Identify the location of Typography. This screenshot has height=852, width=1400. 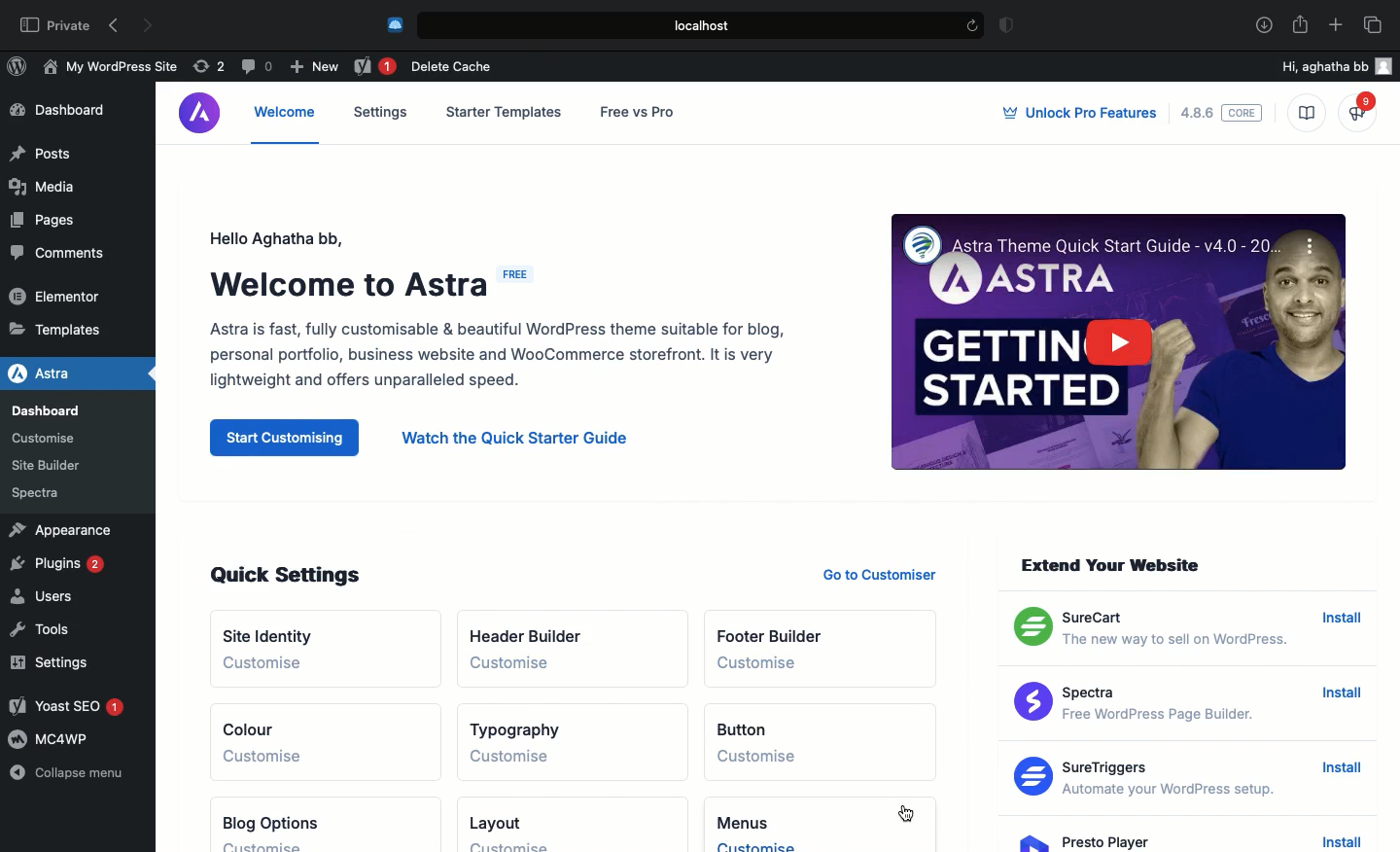
(520, 728).